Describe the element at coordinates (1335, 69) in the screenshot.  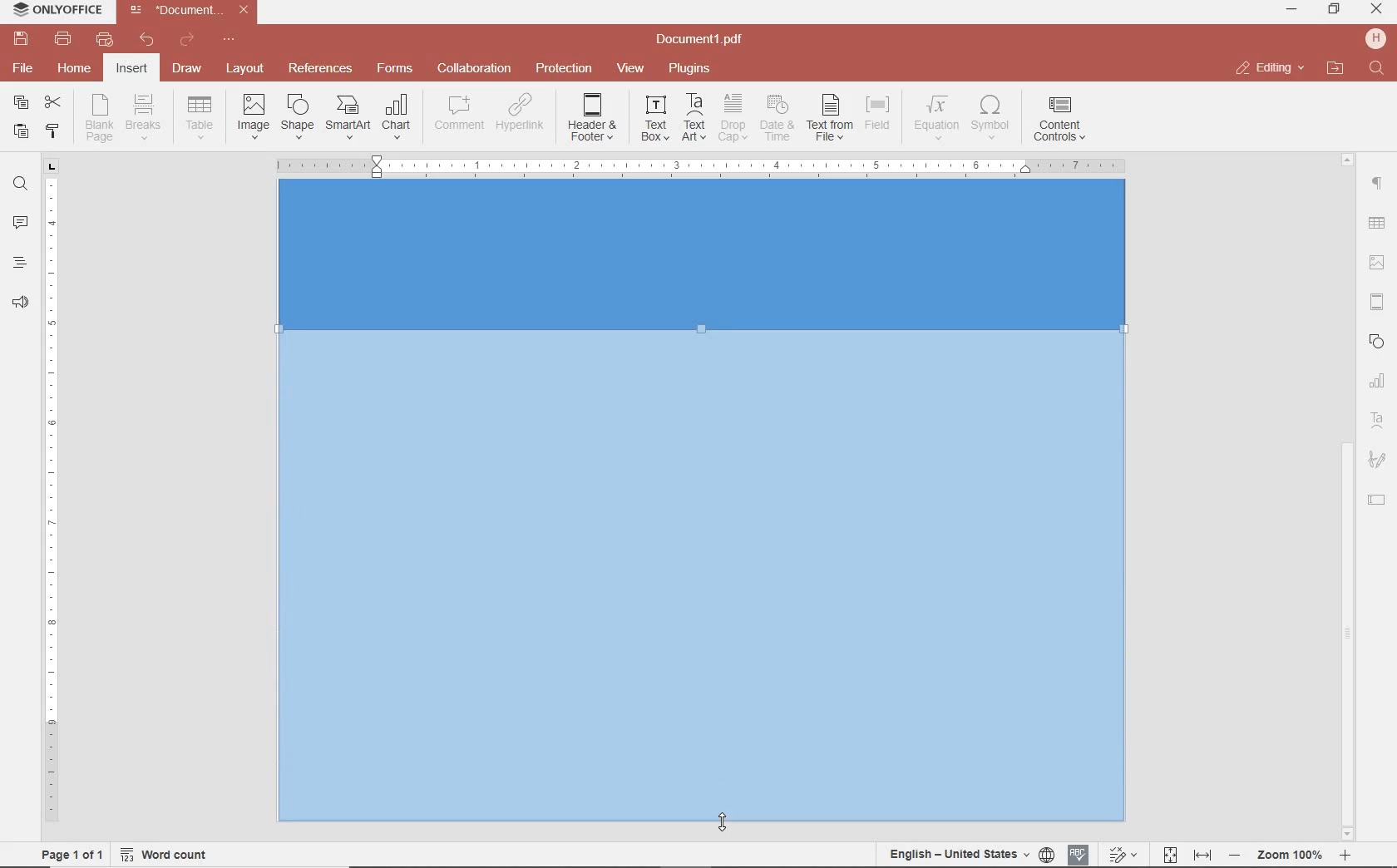
I see `open file location` at that location.